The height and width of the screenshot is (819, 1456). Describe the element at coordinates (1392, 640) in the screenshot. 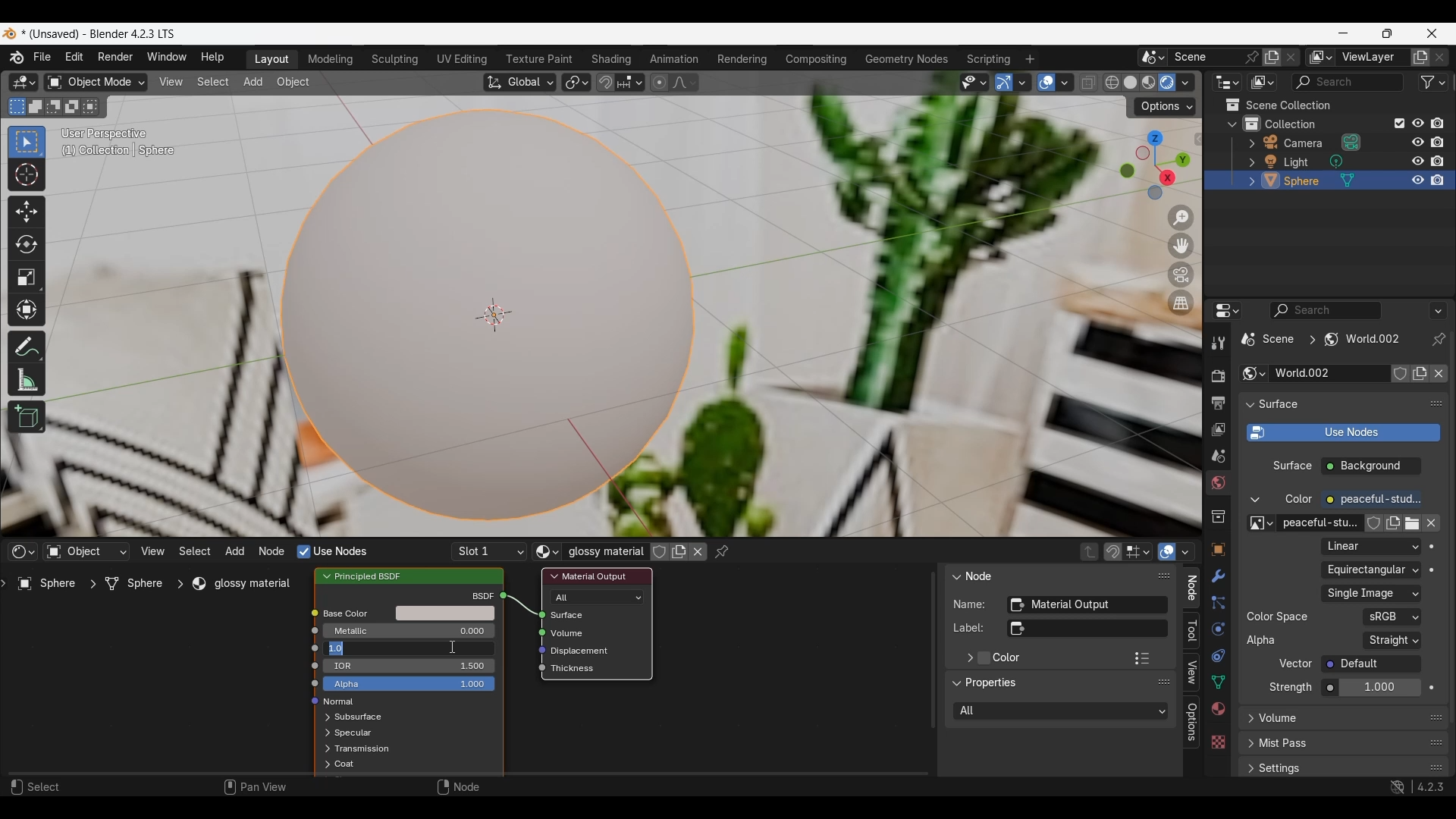

I see `Representation of alpha in the image` at that location.